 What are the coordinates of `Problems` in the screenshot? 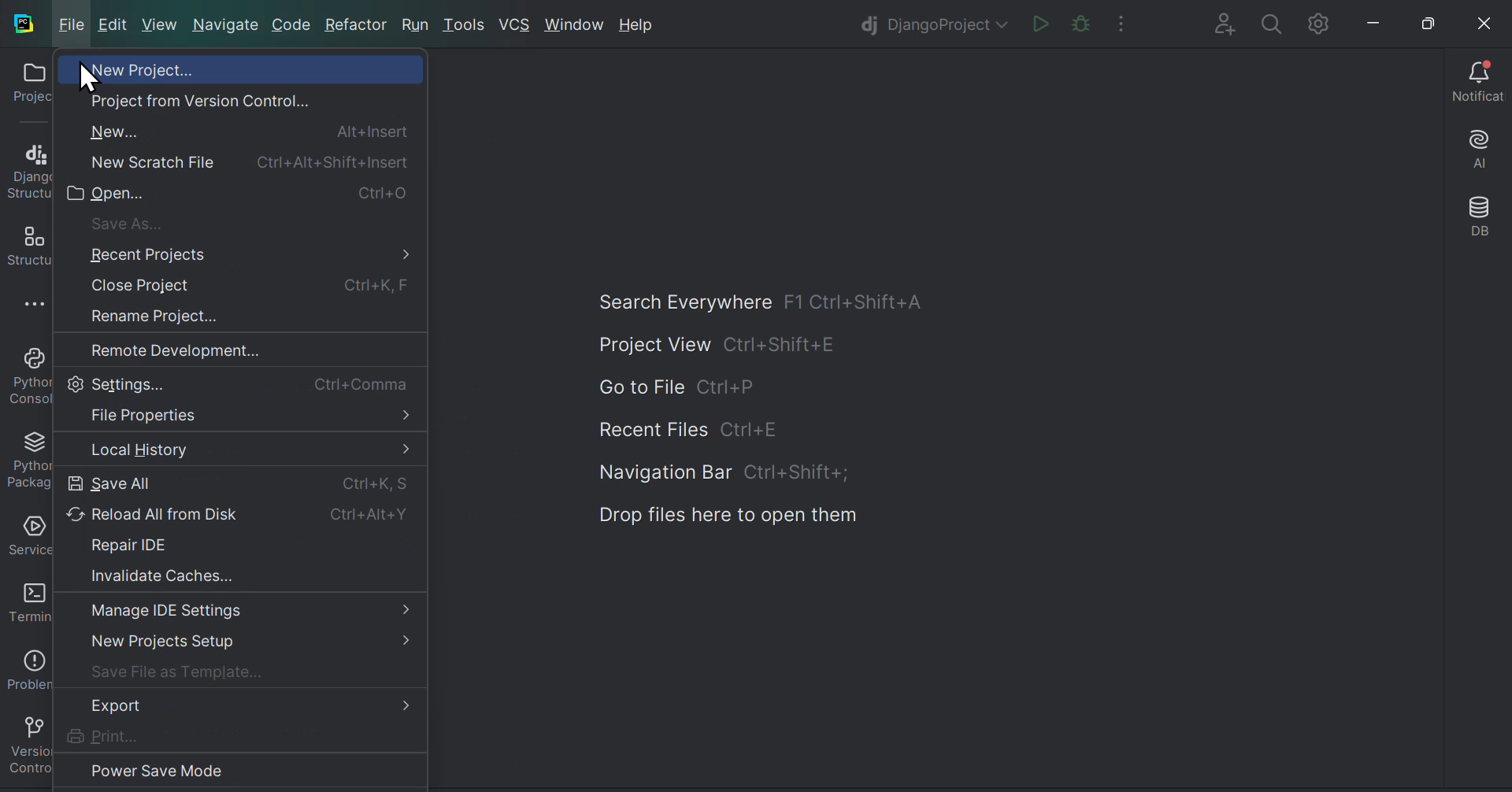 It's located at (31, 664).